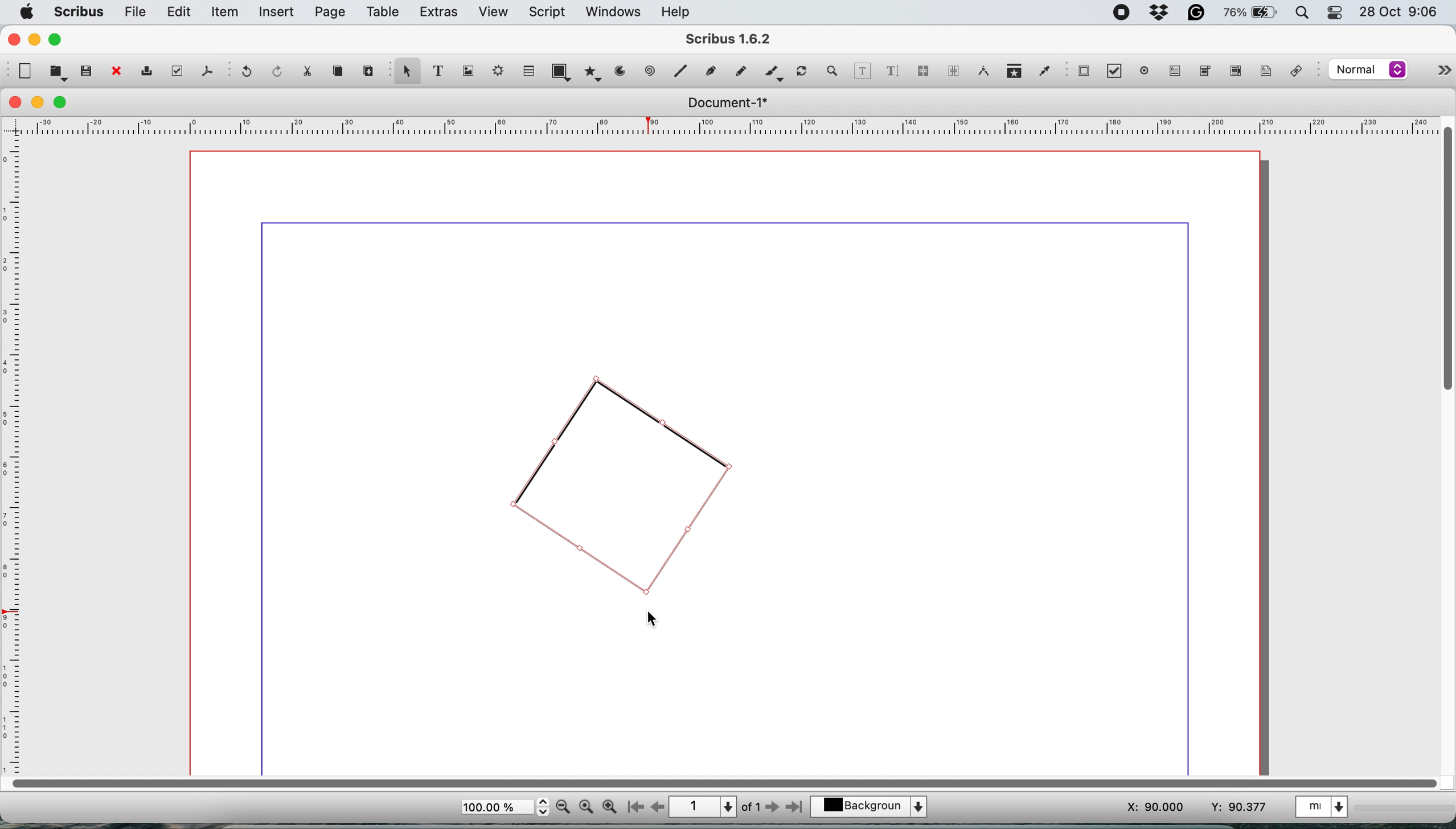 Image resolution: width=1456 pixels, height=829 pixels. What do you see at coordinates (384, 14) in the screenshot?
I see `table` at bounding box center [384, 14].